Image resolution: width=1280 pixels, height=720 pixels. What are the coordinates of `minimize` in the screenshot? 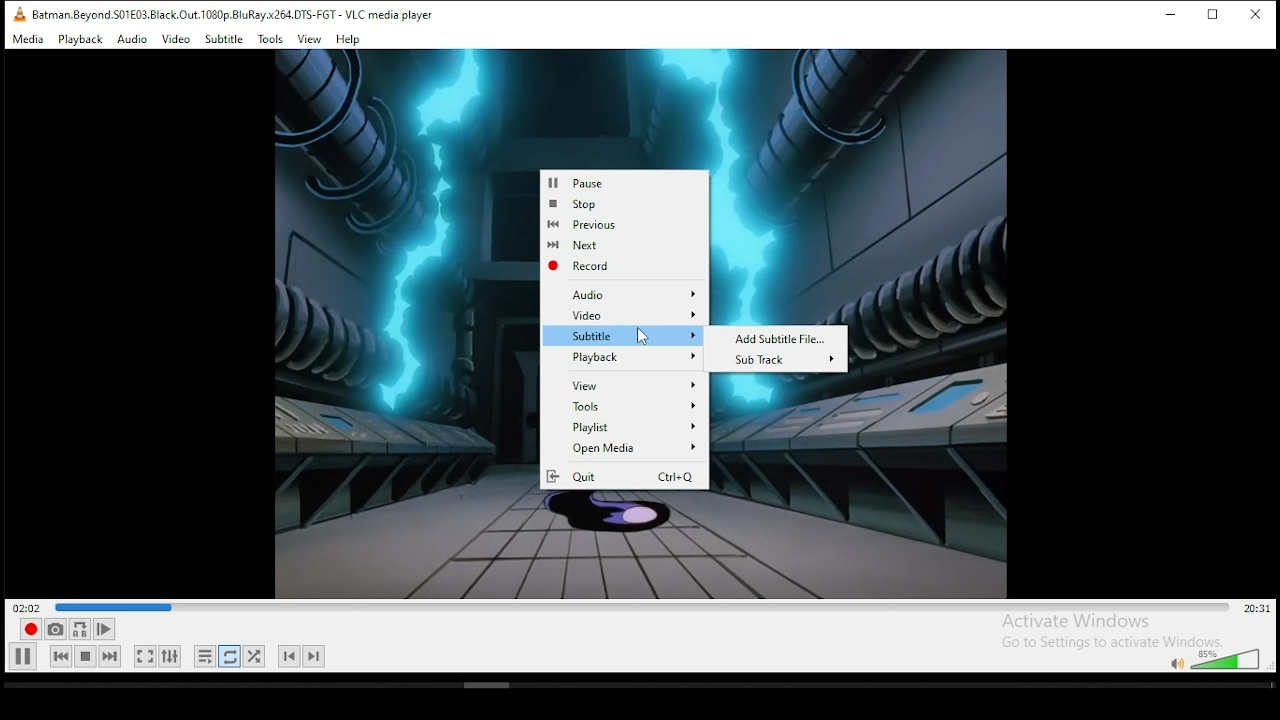 It's located at (1168, 16).